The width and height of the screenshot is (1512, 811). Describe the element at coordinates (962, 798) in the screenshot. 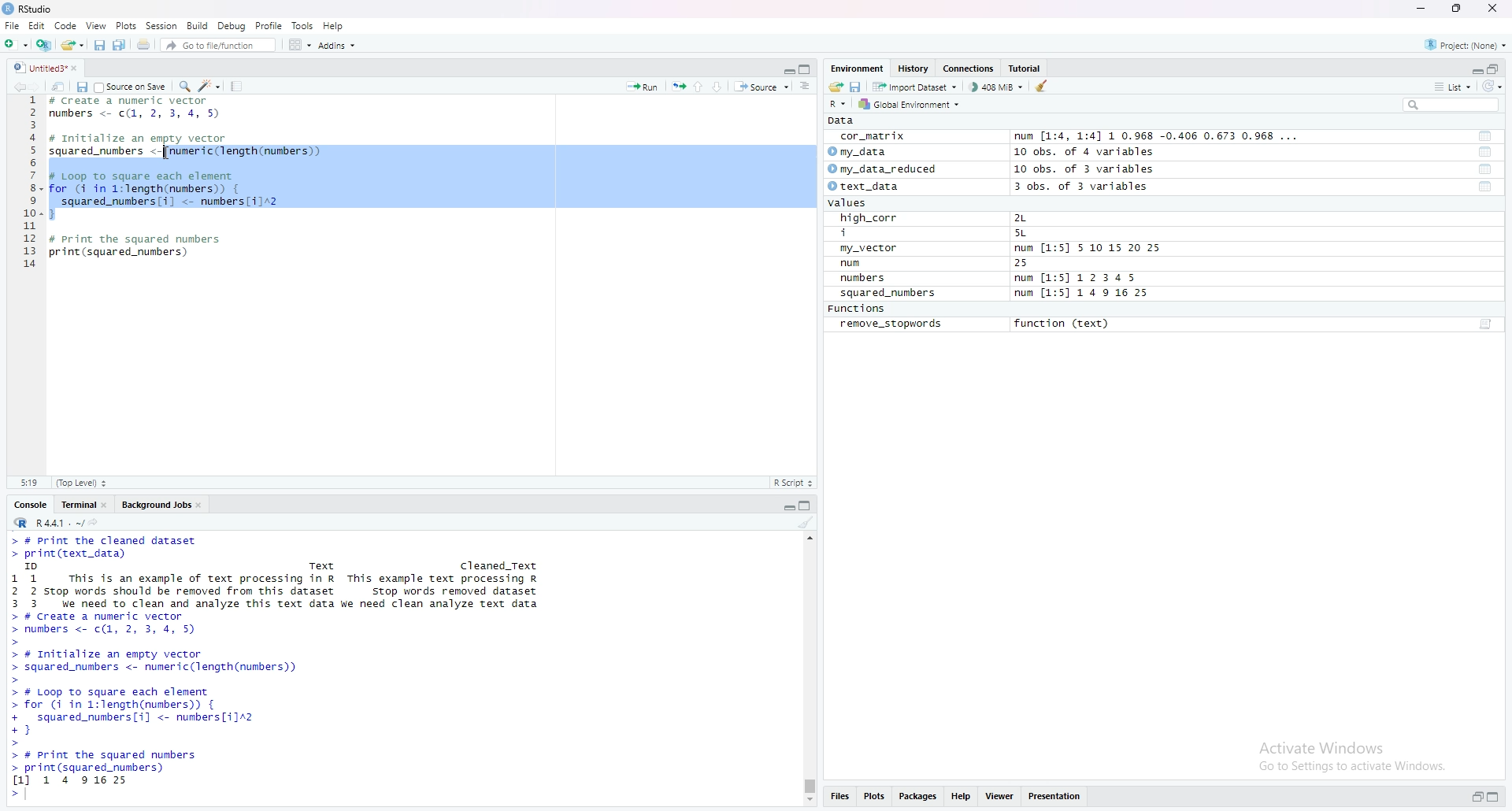

I see `Help` at that location.